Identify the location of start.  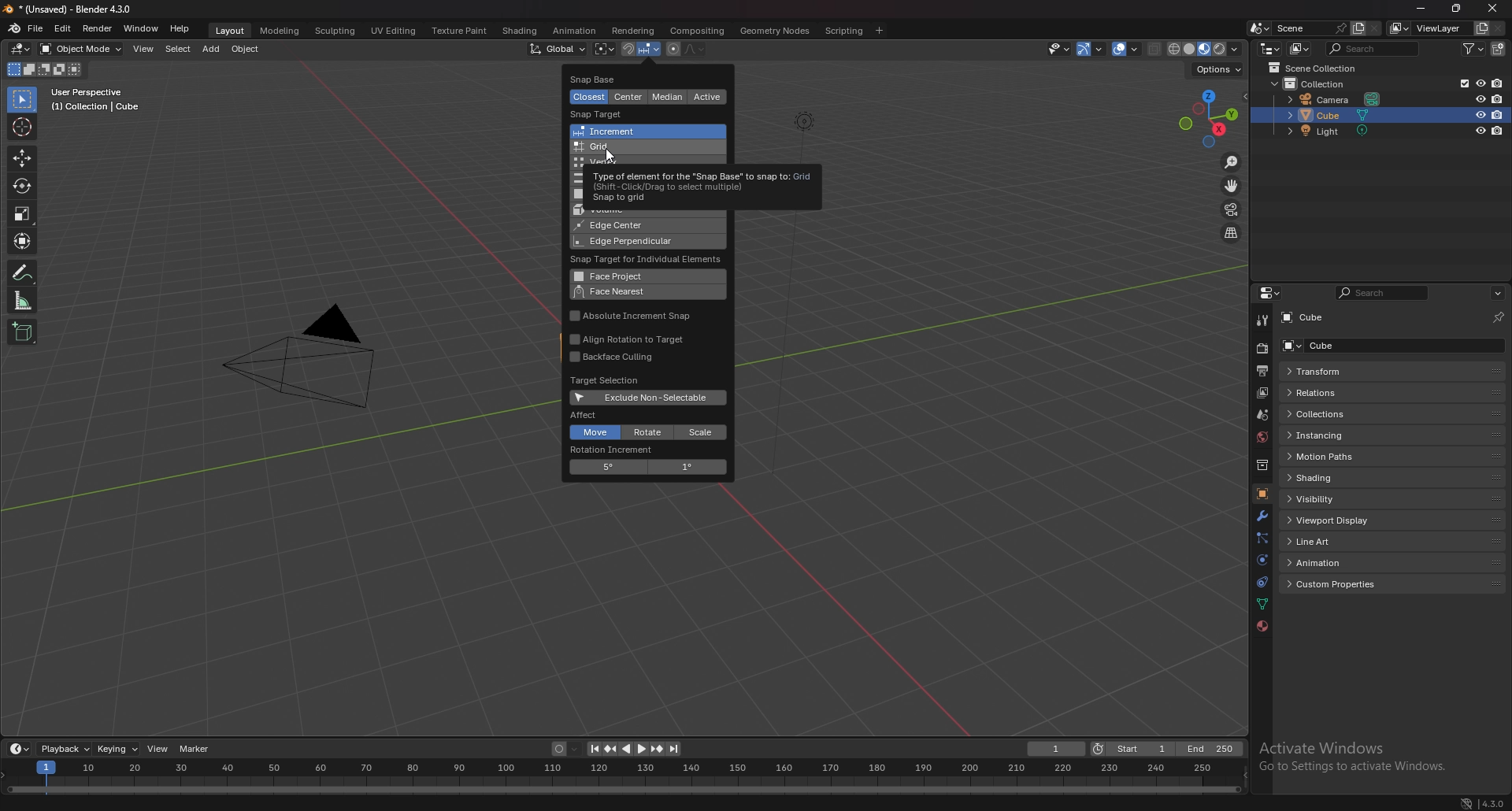
(1132, 749).